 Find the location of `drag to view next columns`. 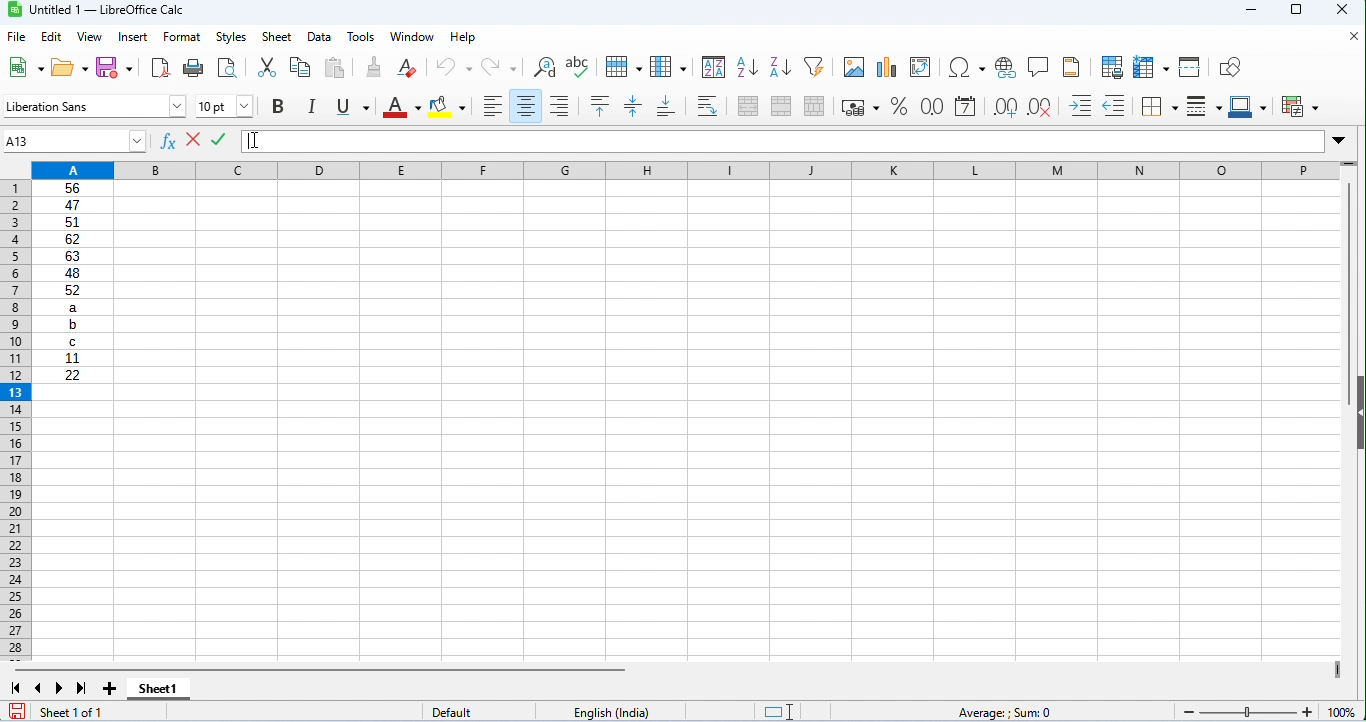

drag to view next columns is located at coordinates (1339, 670).